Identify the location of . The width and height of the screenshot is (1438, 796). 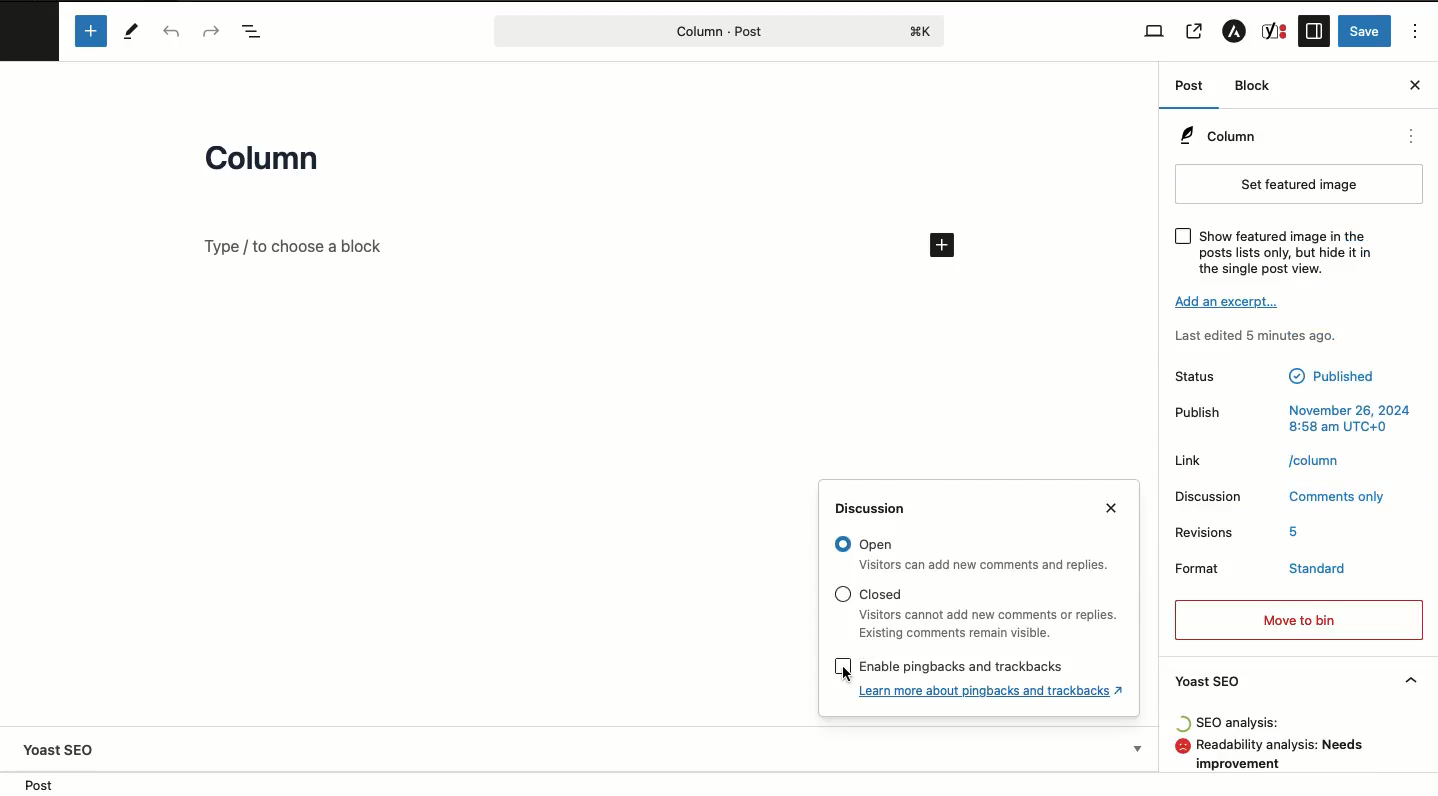
(876, 545).